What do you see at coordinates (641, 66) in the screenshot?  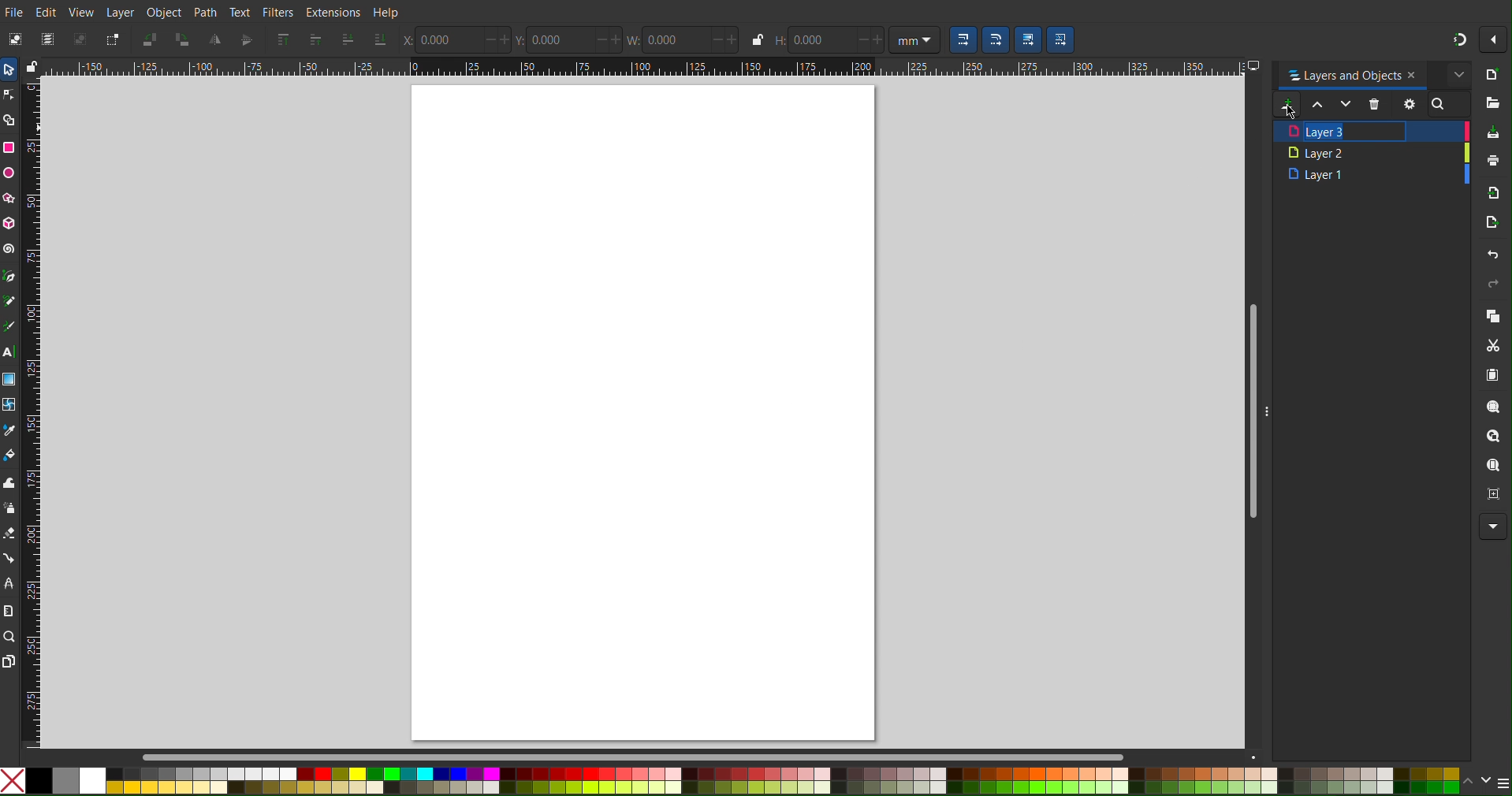 I see `Horizontal Ruler` at bounding box center [641, 66].